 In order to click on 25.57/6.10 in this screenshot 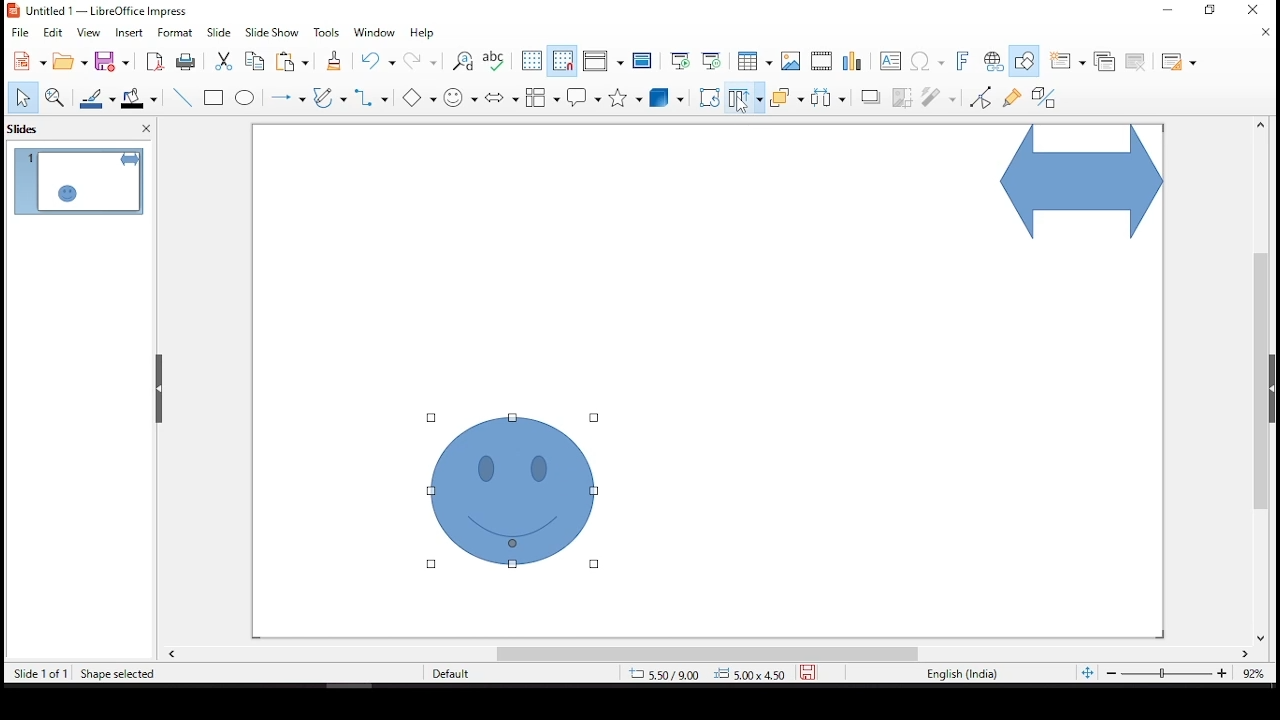, I will do `click(665, 675)`.